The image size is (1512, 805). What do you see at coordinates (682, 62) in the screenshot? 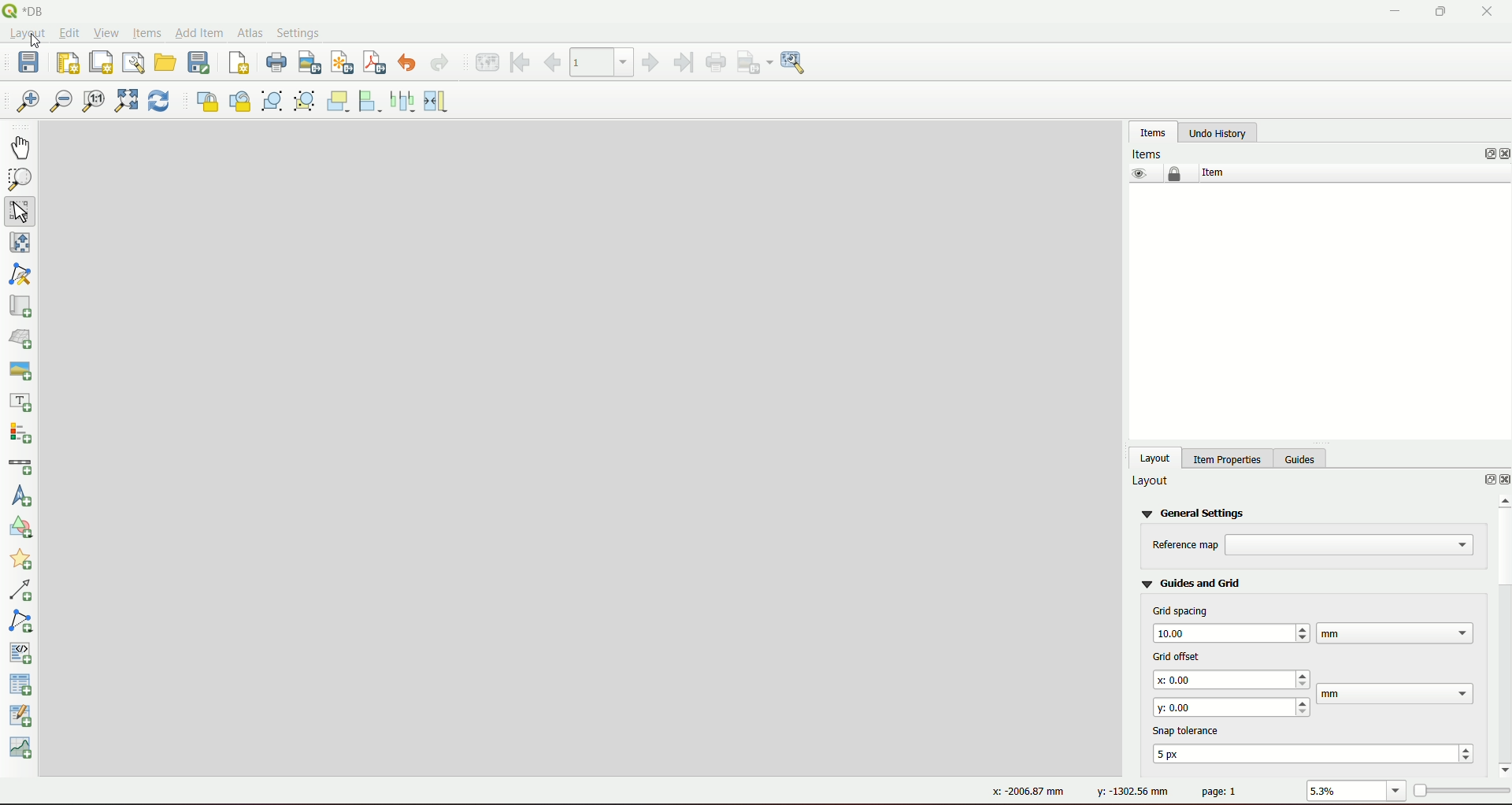
I see `last feature` at bounding box center [682, 62].